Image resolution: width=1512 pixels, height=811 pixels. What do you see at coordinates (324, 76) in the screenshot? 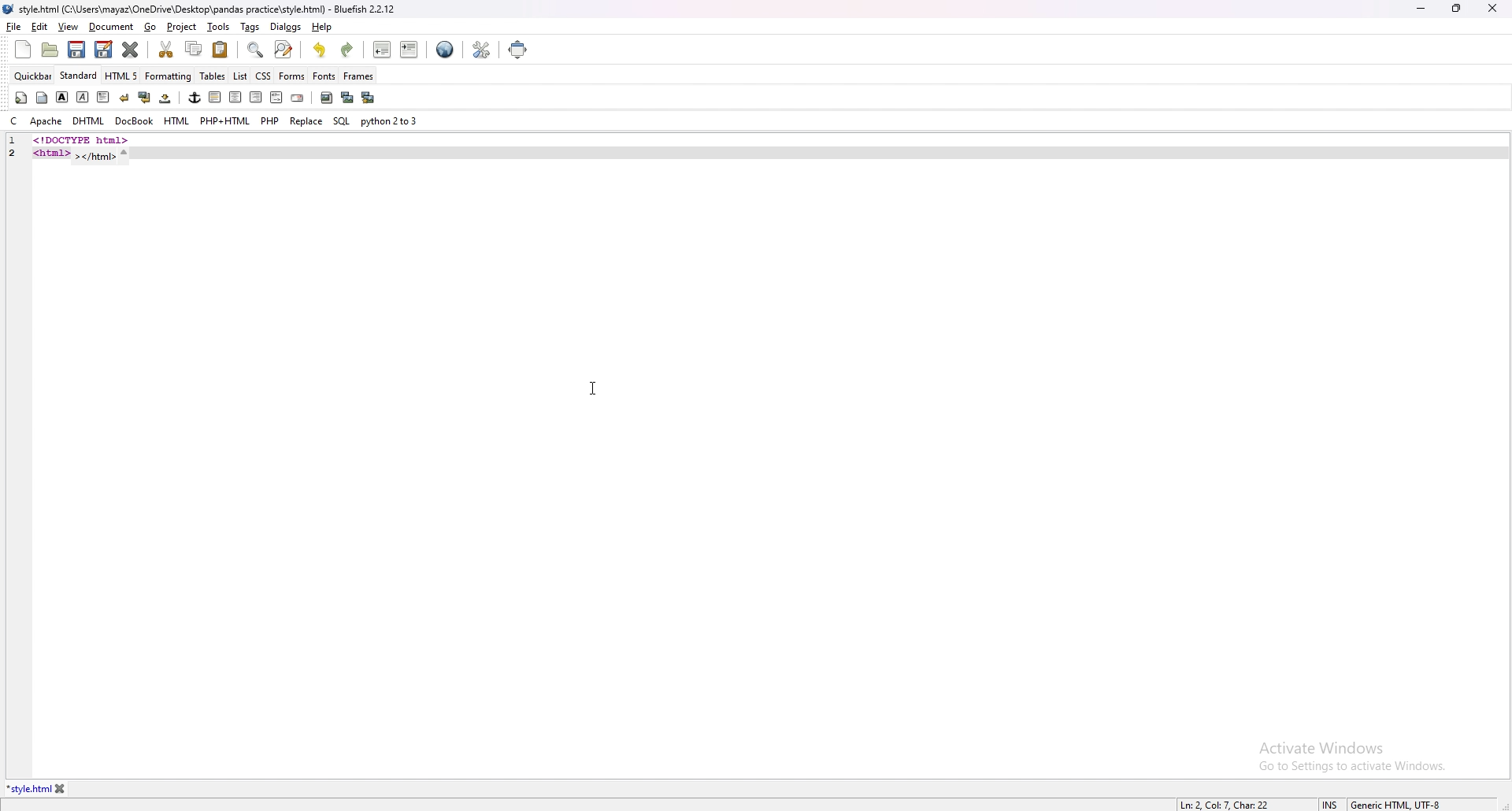
I see `fonts` at bounding box center [324, 76].